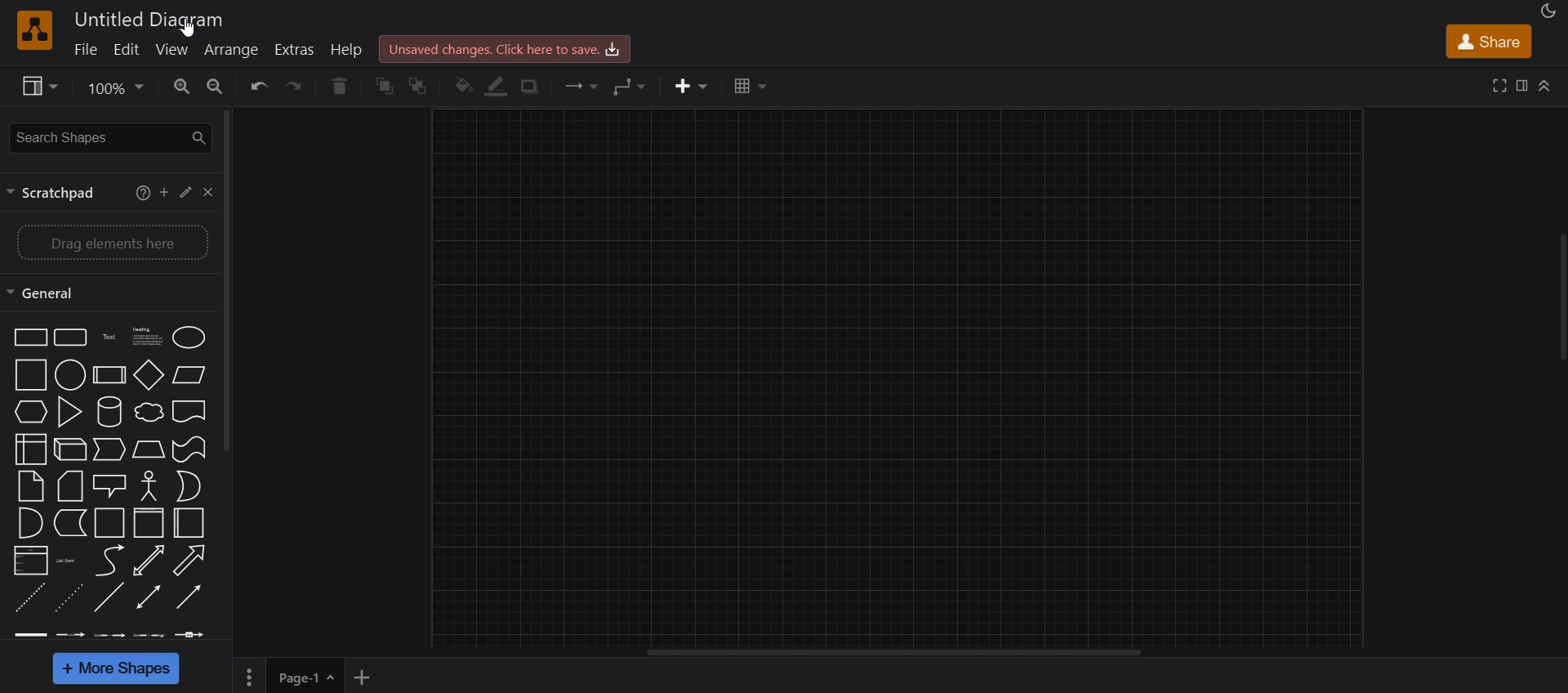 The width and height of the screenshot is (1568, 693). What do you see at coordinates (109, 136) in the screenshot?
I see `search shapes` at bounding box center [109, 136].